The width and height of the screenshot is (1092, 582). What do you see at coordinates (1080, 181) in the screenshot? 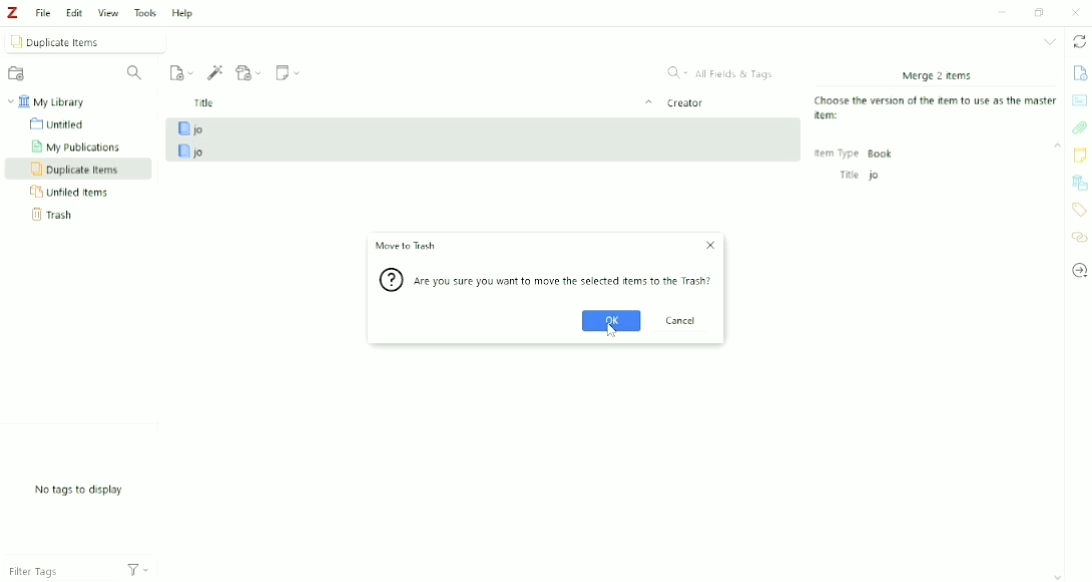
I see `Libraries and Collections` at bounding box center [1080, 181].